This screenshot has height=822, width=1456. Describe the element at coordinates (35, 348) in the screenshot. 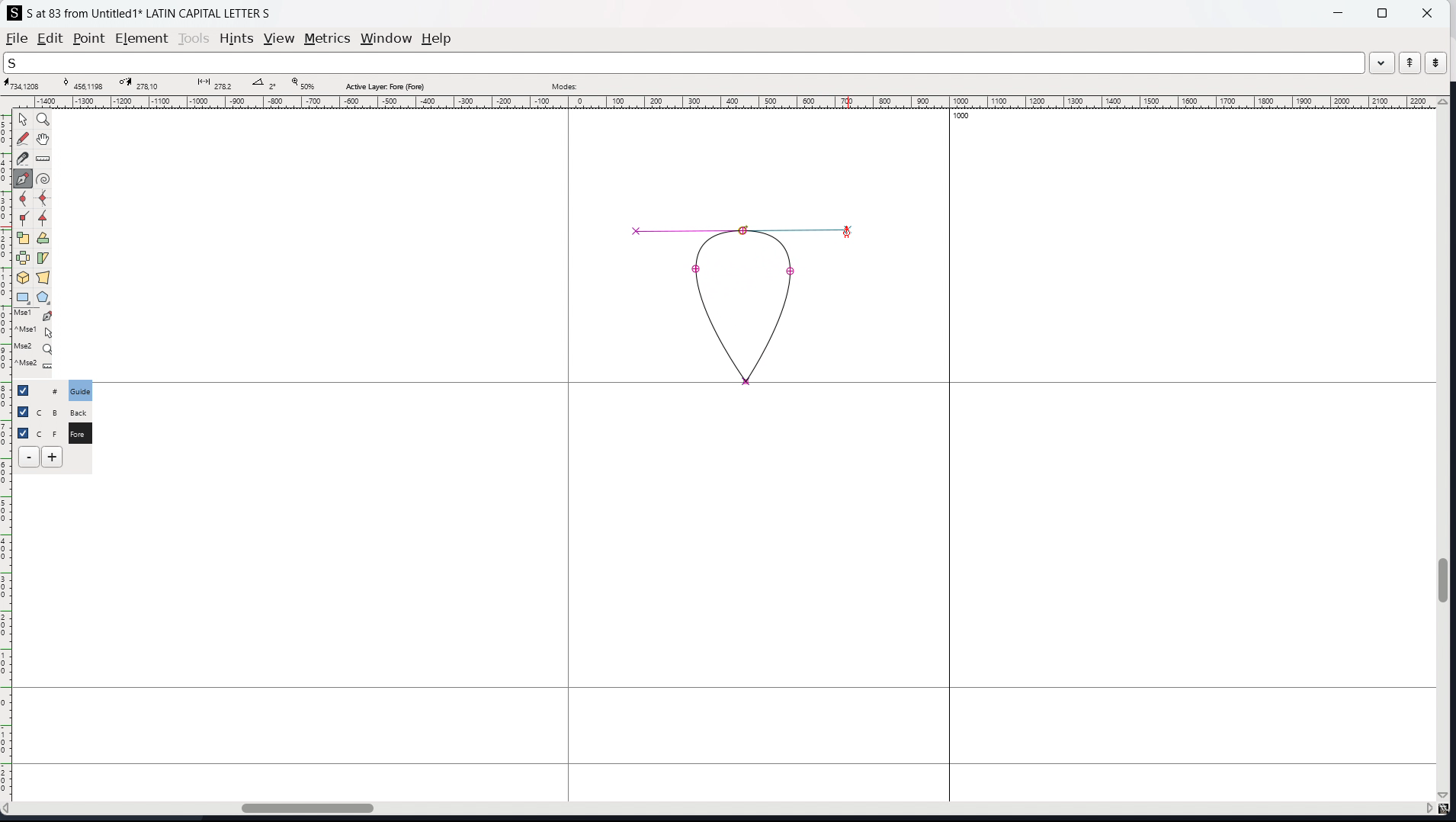

I see `Mse2` at that location.